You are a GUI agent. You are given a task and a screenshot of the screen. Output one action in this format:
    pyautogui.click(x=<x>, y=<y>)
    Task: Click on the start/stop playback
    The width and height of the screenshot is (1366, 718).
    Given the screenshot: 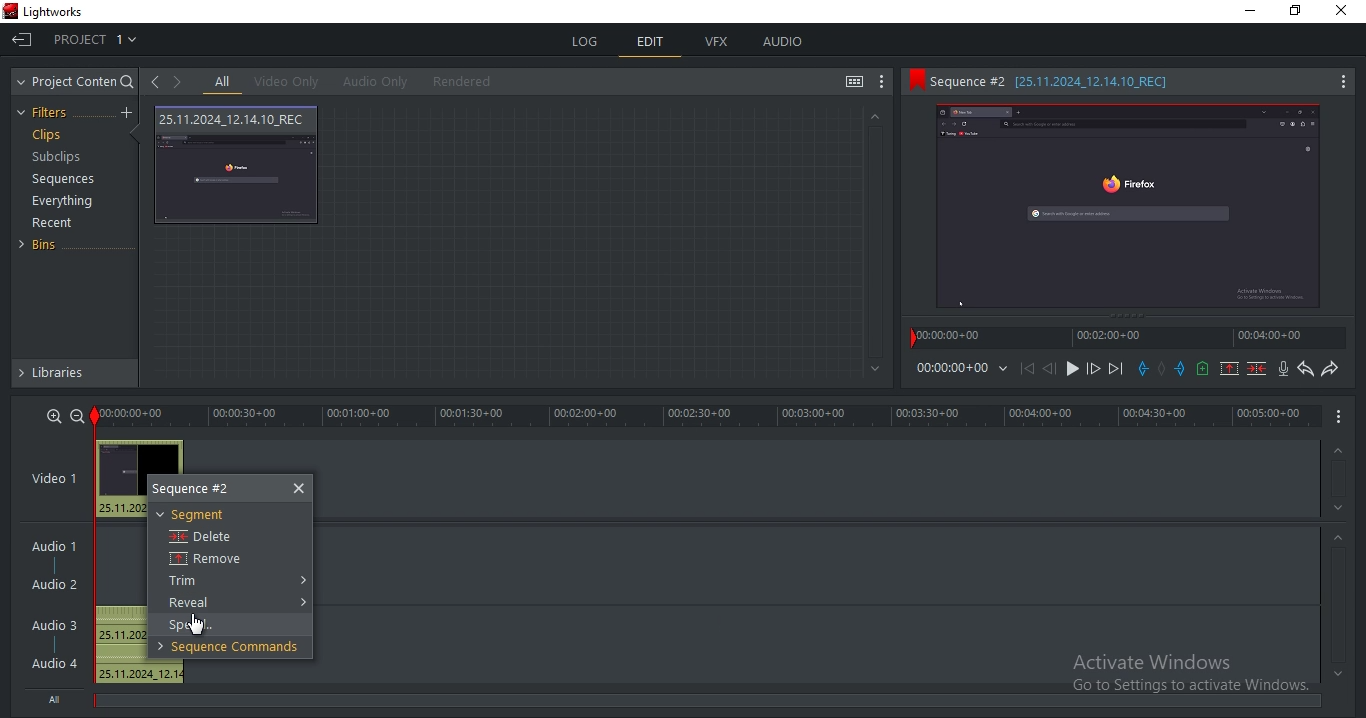 What is the action you would take?
    pyautogui.click(x=1073, y=369)
    